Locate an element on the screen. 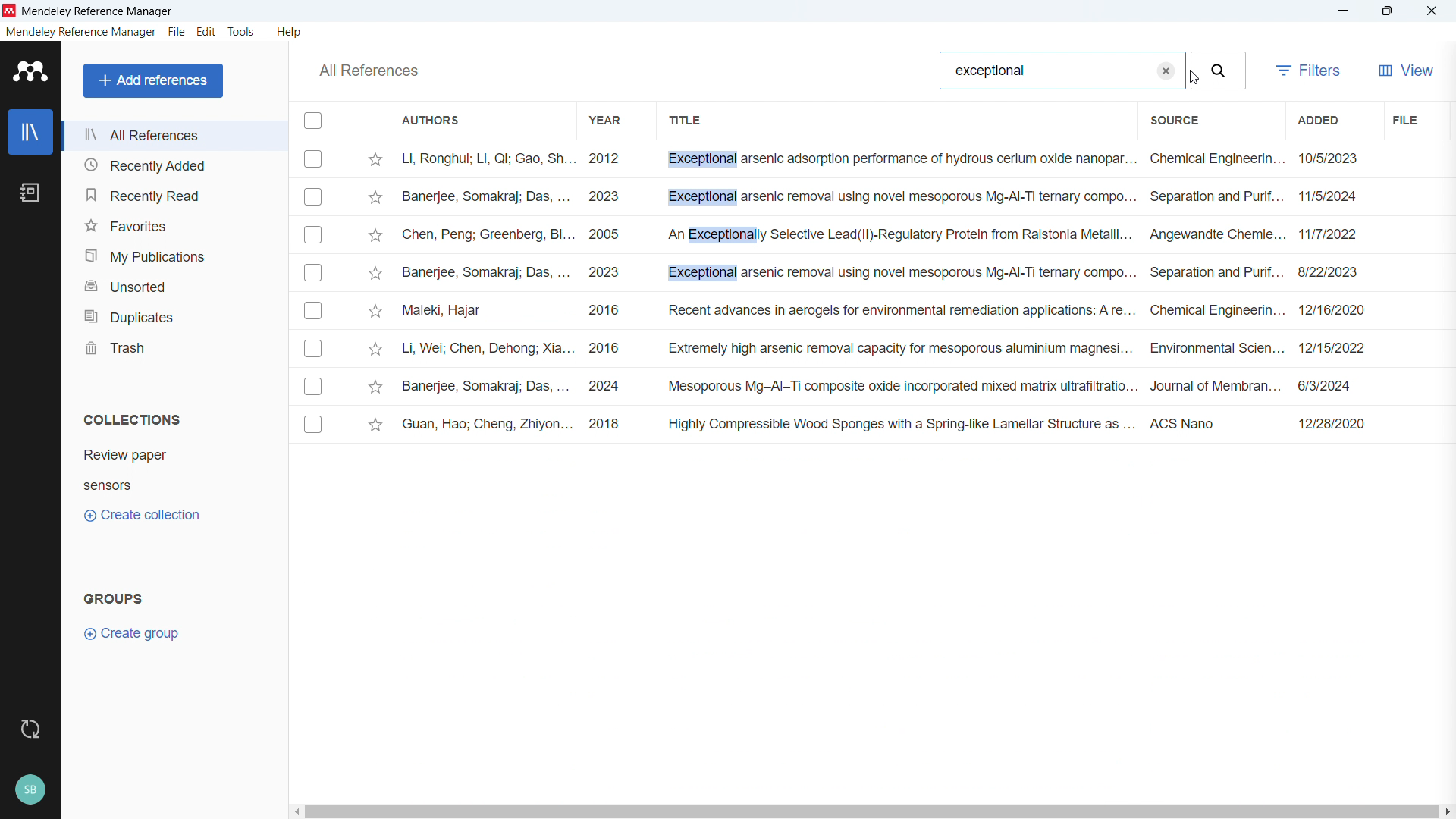 This screenshot has height=819, width=1456. Search string  is located at coordinates (990, 71).